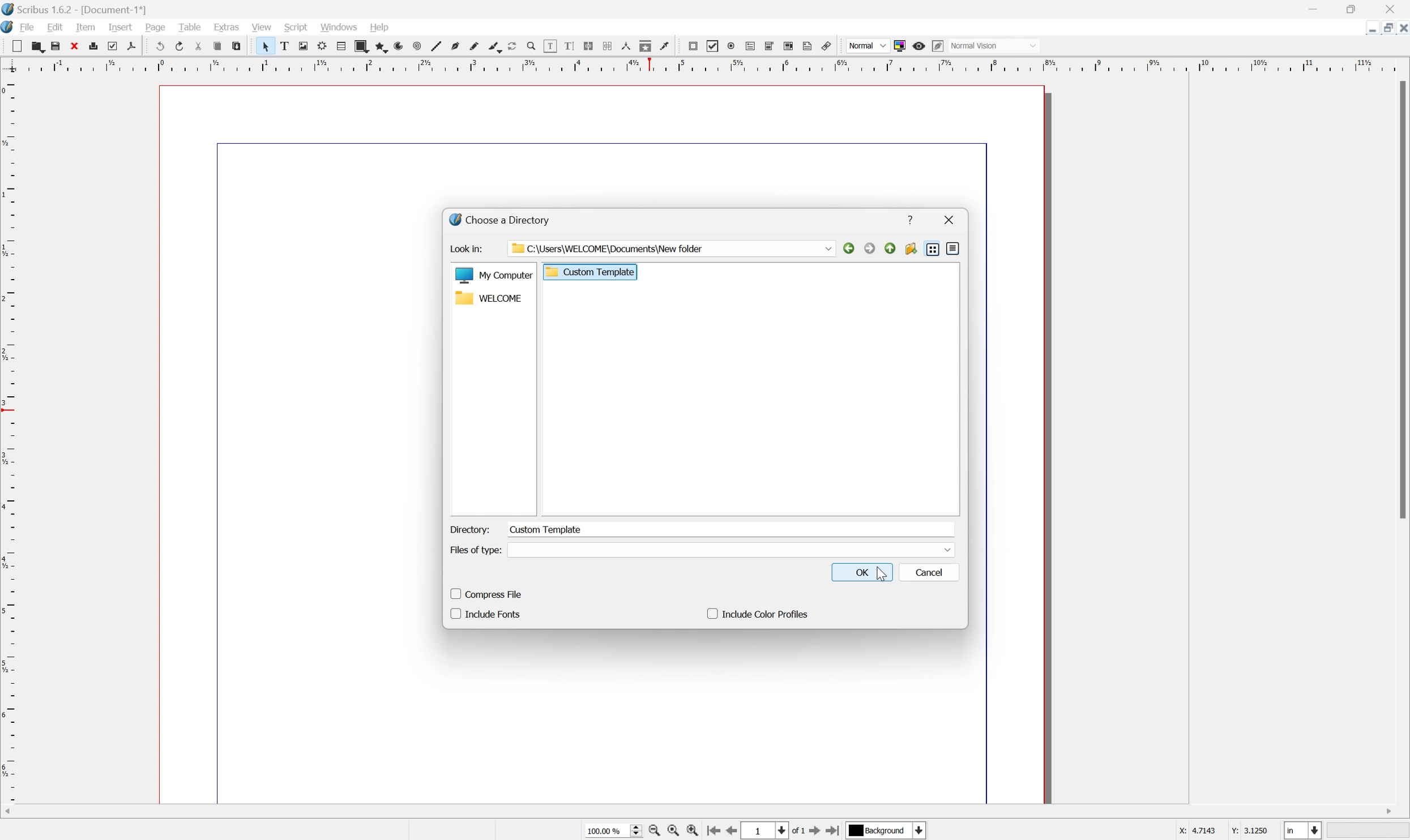 This screenshot has width=1410, height=840. I want to click on Link text frames, so click(591, 46).